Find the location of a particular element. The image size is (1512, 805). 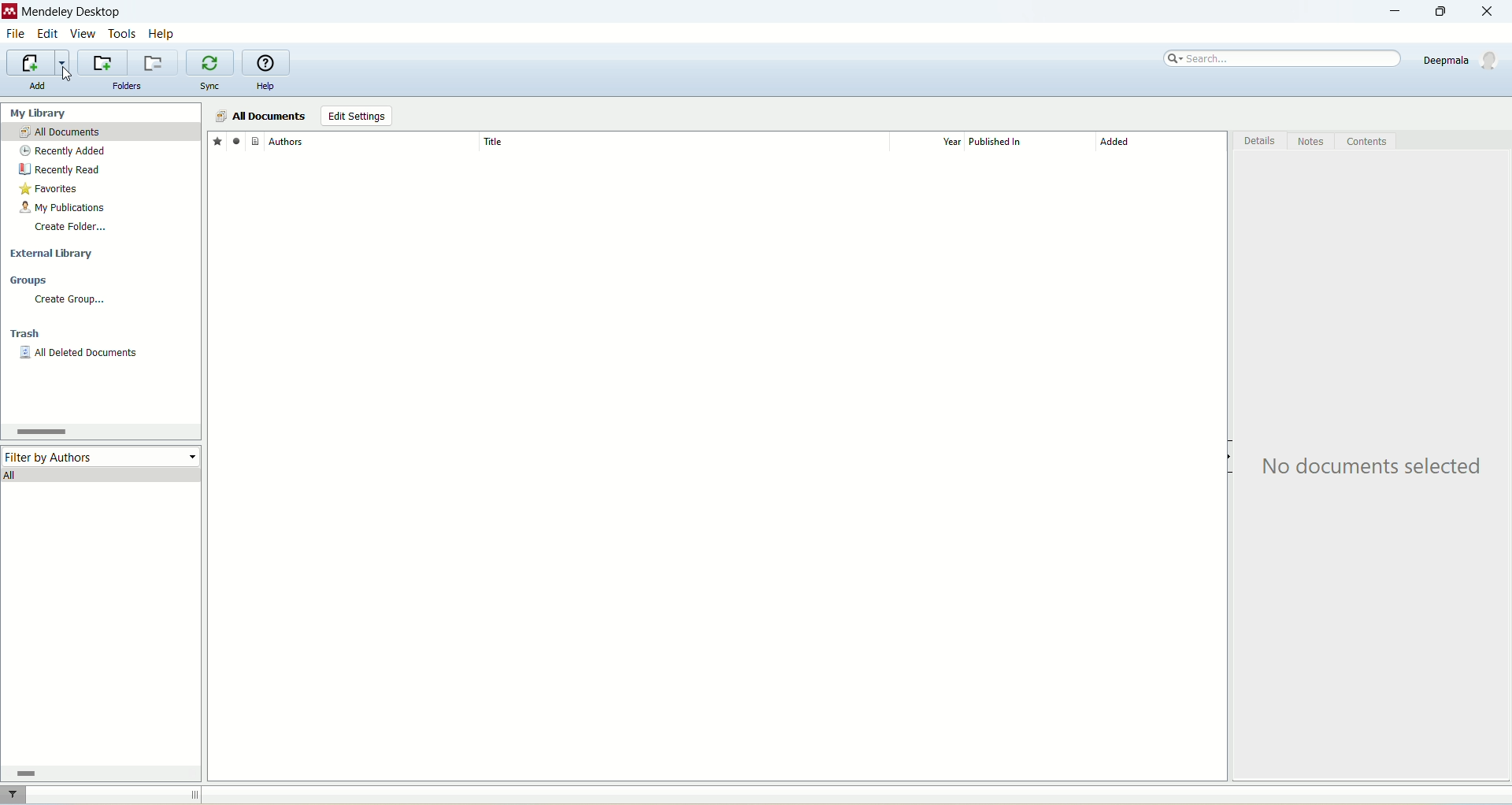

minimize is located at coordinates (1392, 12).